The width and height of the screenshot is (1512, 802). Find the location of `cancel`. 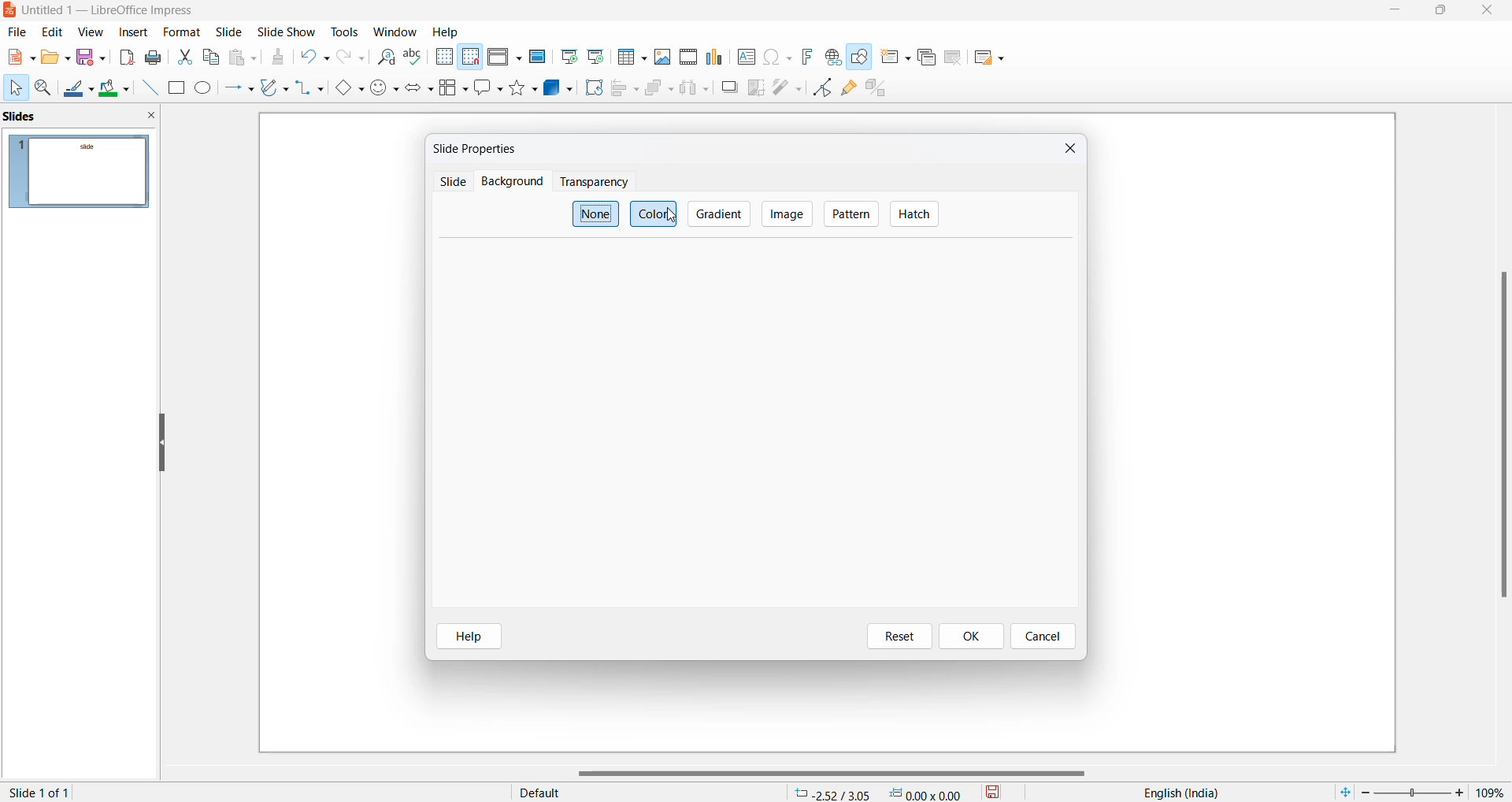

cancel is located at coordinates (1043, 637).